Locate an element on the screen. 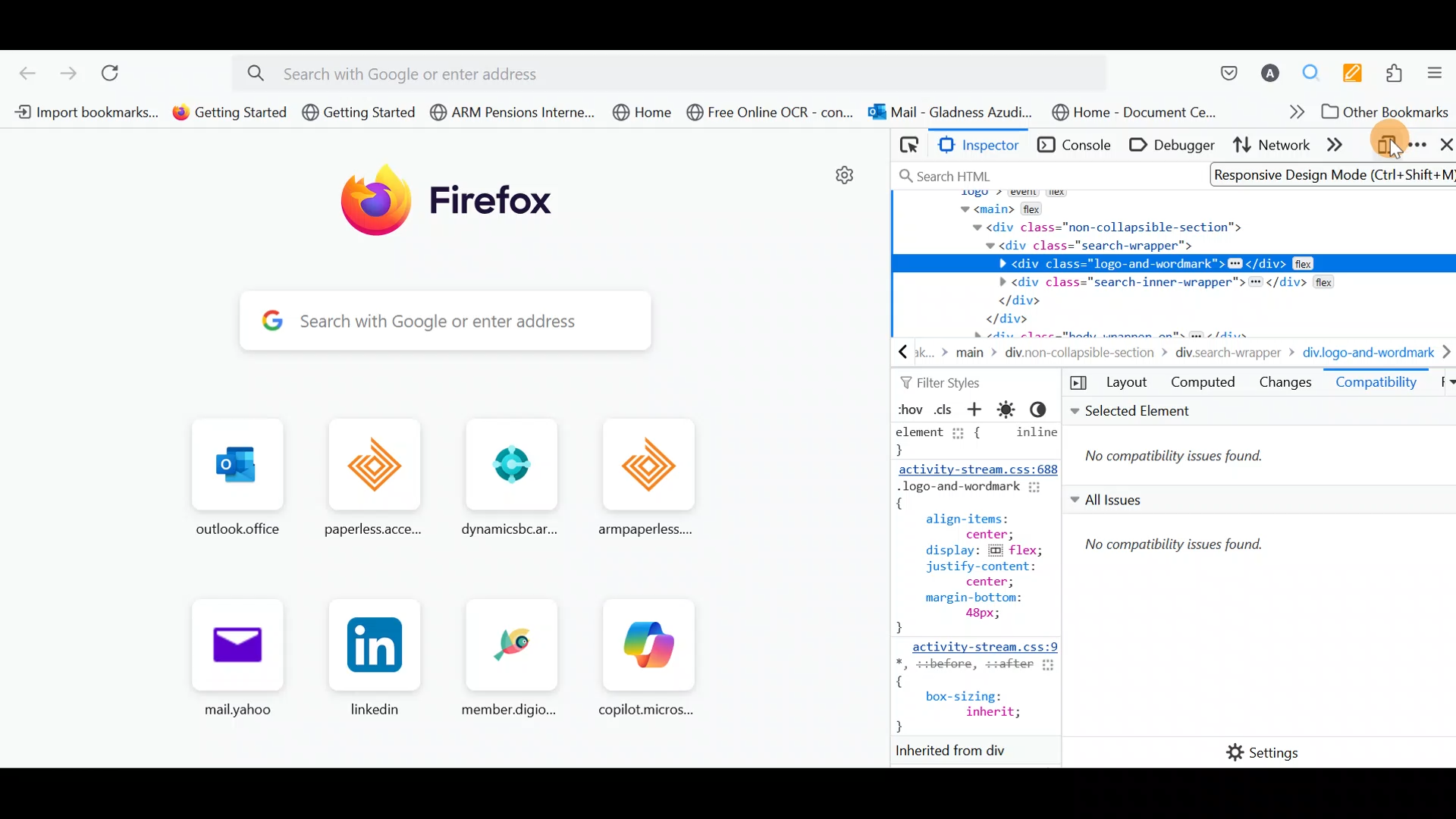 The height and width of the screenshot is (819, 1456). Bookmark 8 is located at coordinates (1140, 112).